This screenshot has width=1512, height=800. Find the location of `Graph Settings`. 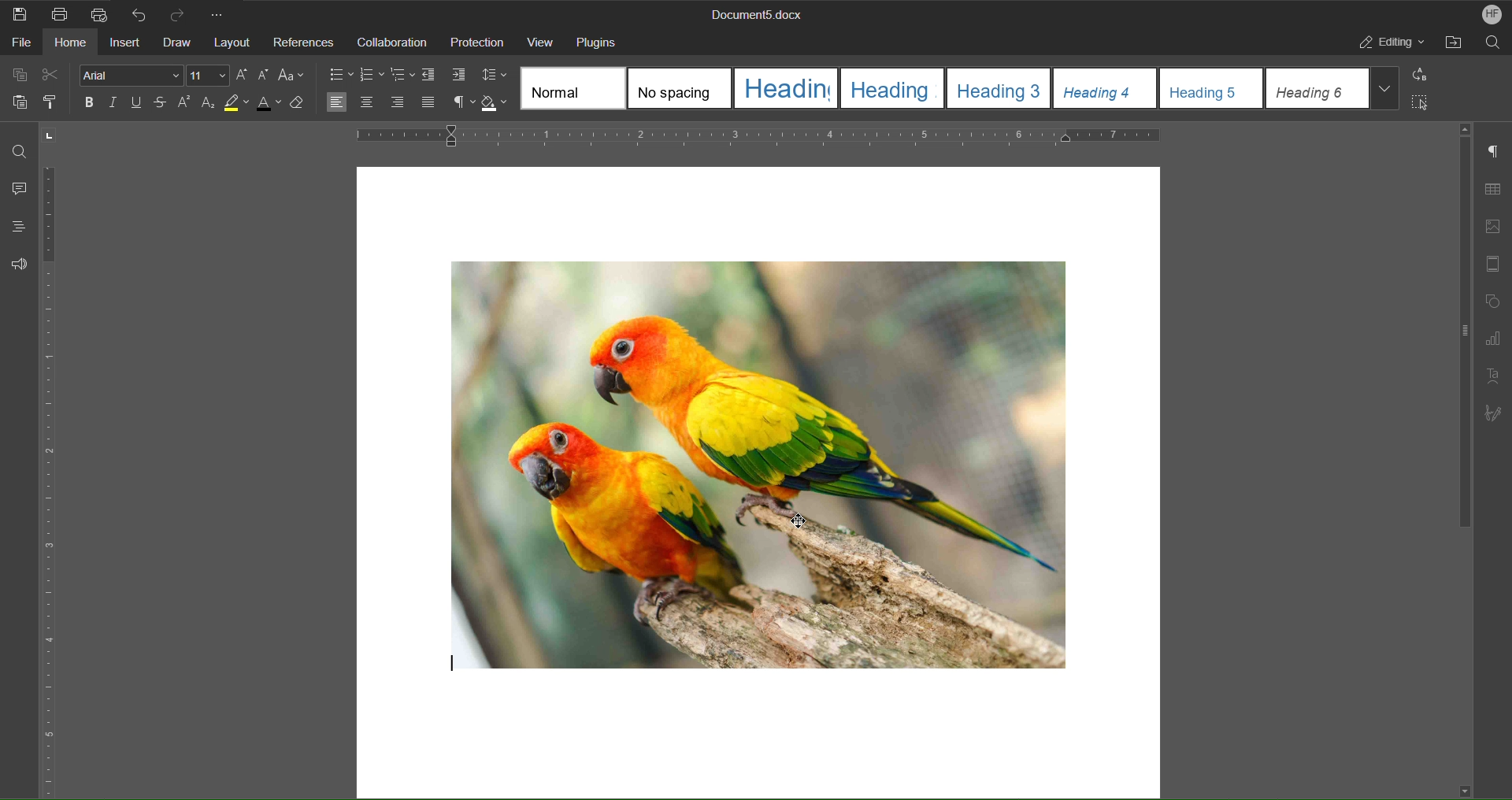

Graph Settings is located at coordinates (1492, 342).